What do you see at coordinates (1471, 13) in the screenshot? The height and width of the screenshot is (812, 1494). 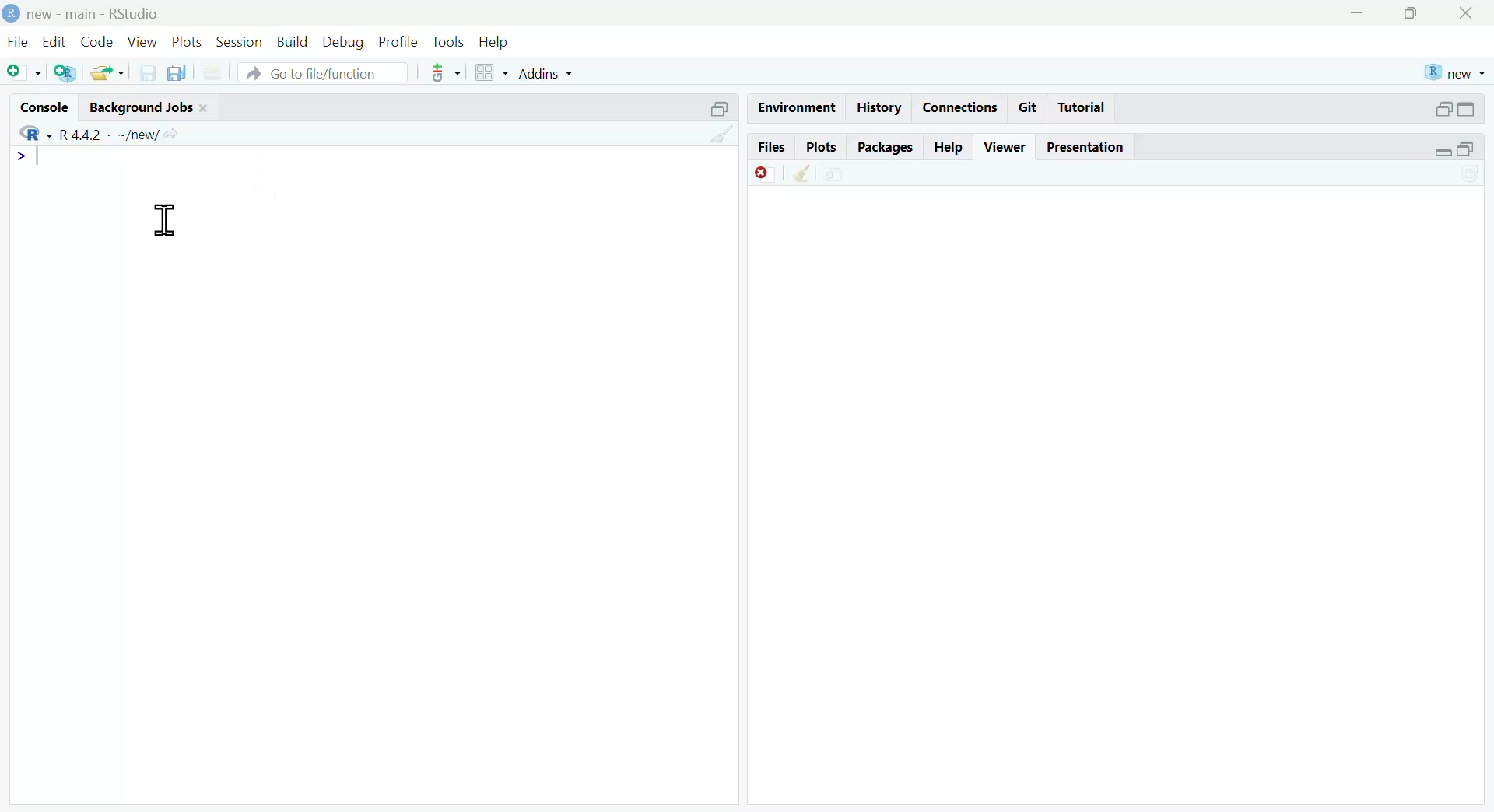 I see `close` at bounding box center [1471, 13].